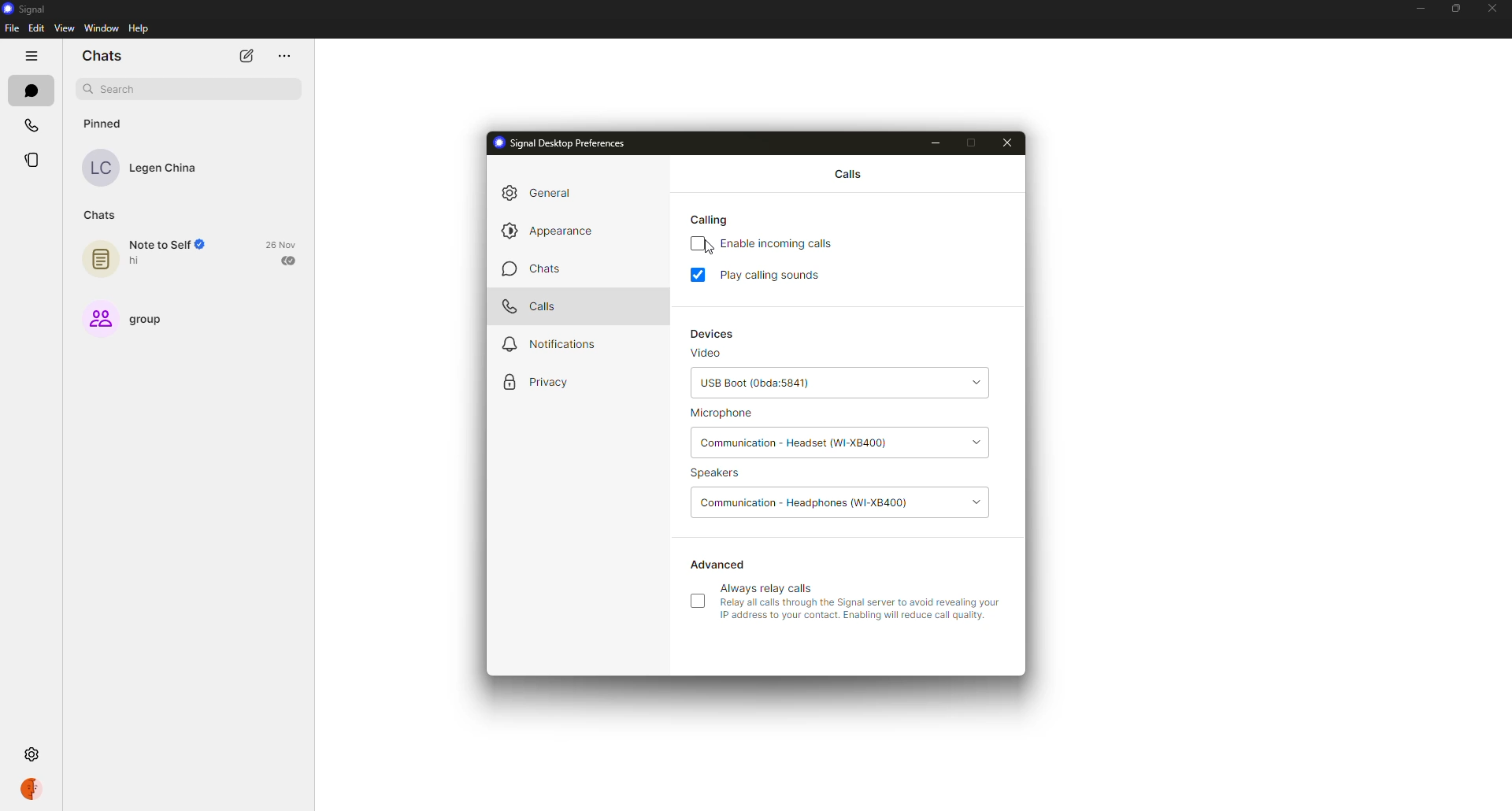 The image size is (1512, 811). Describe the element at coordinates (785, 245) in the screenshot. I see `enable incoming calls` at that location.